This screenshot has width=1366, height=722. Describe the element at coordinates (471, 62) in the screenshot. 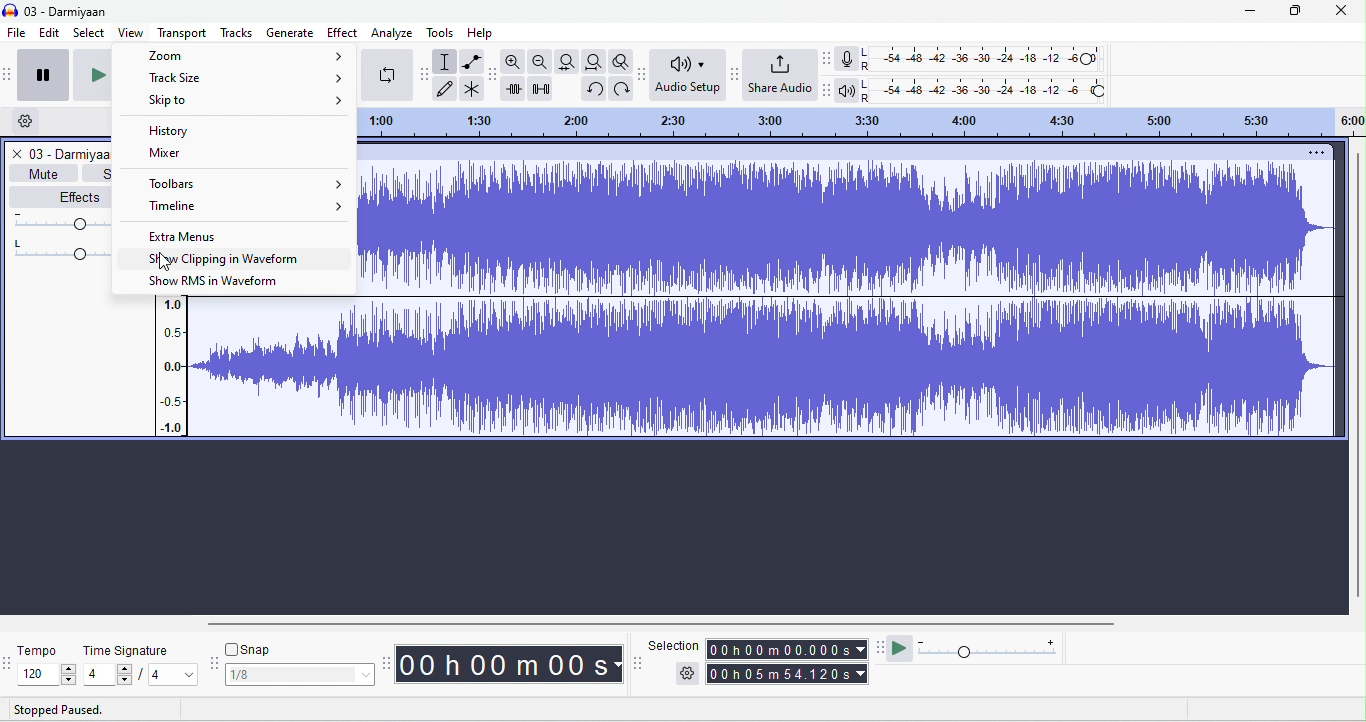

I see `envelop` at that location.